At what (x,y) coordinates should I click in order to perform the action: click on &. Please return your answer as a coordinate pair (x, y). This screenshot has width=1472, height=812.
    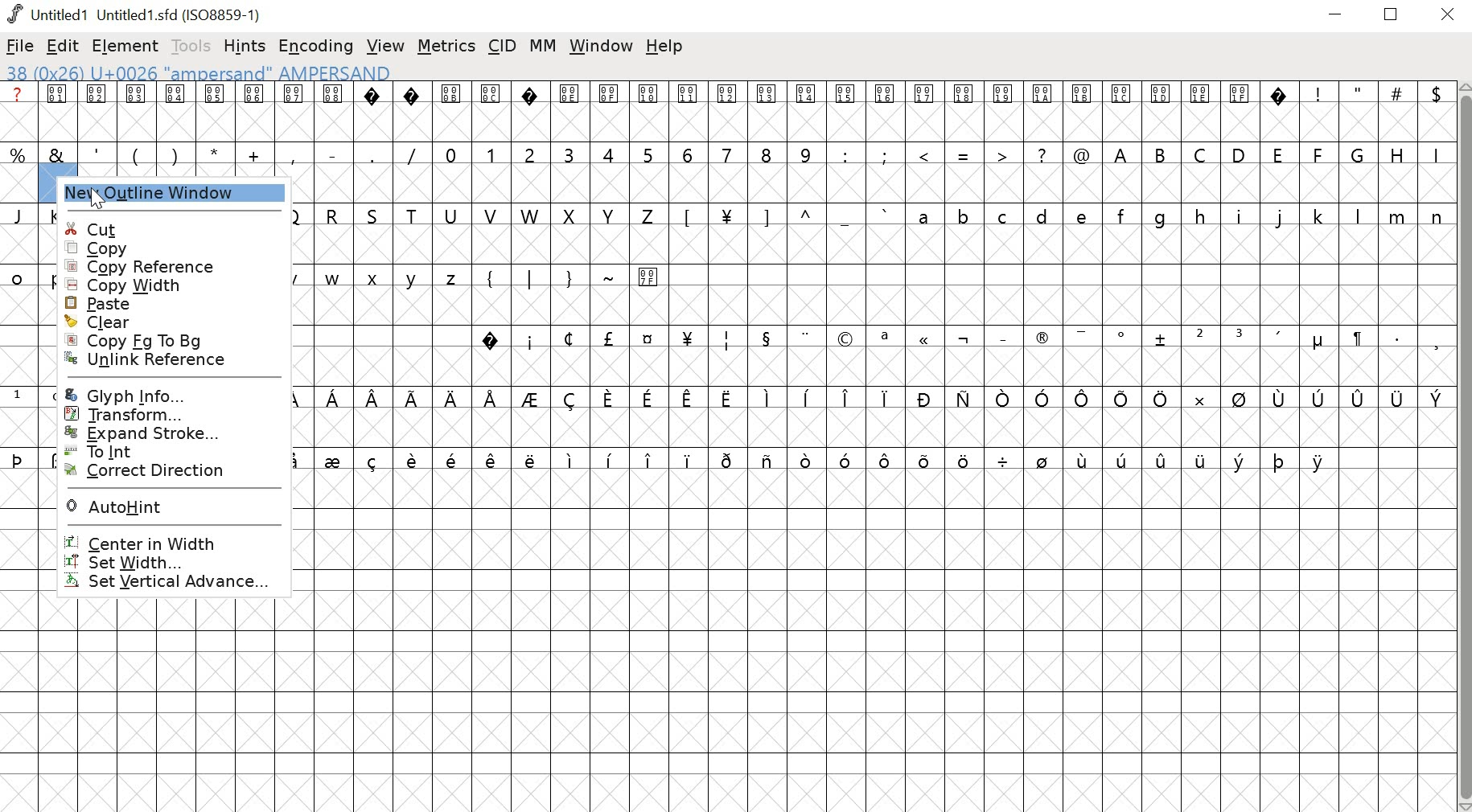
    Looking at the image, I should click on (57, 154).